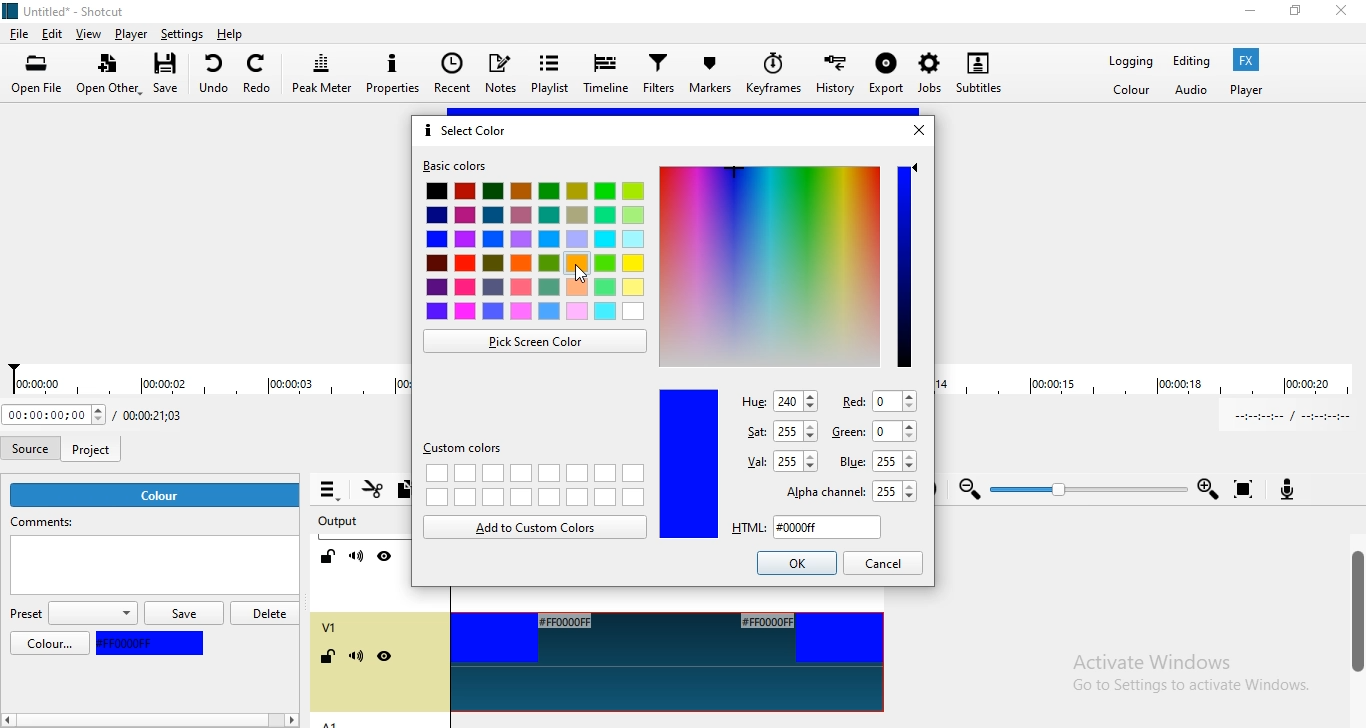  Describe the element at coordinates (660, 76) in the screenshot. I see `Filters` at that location.